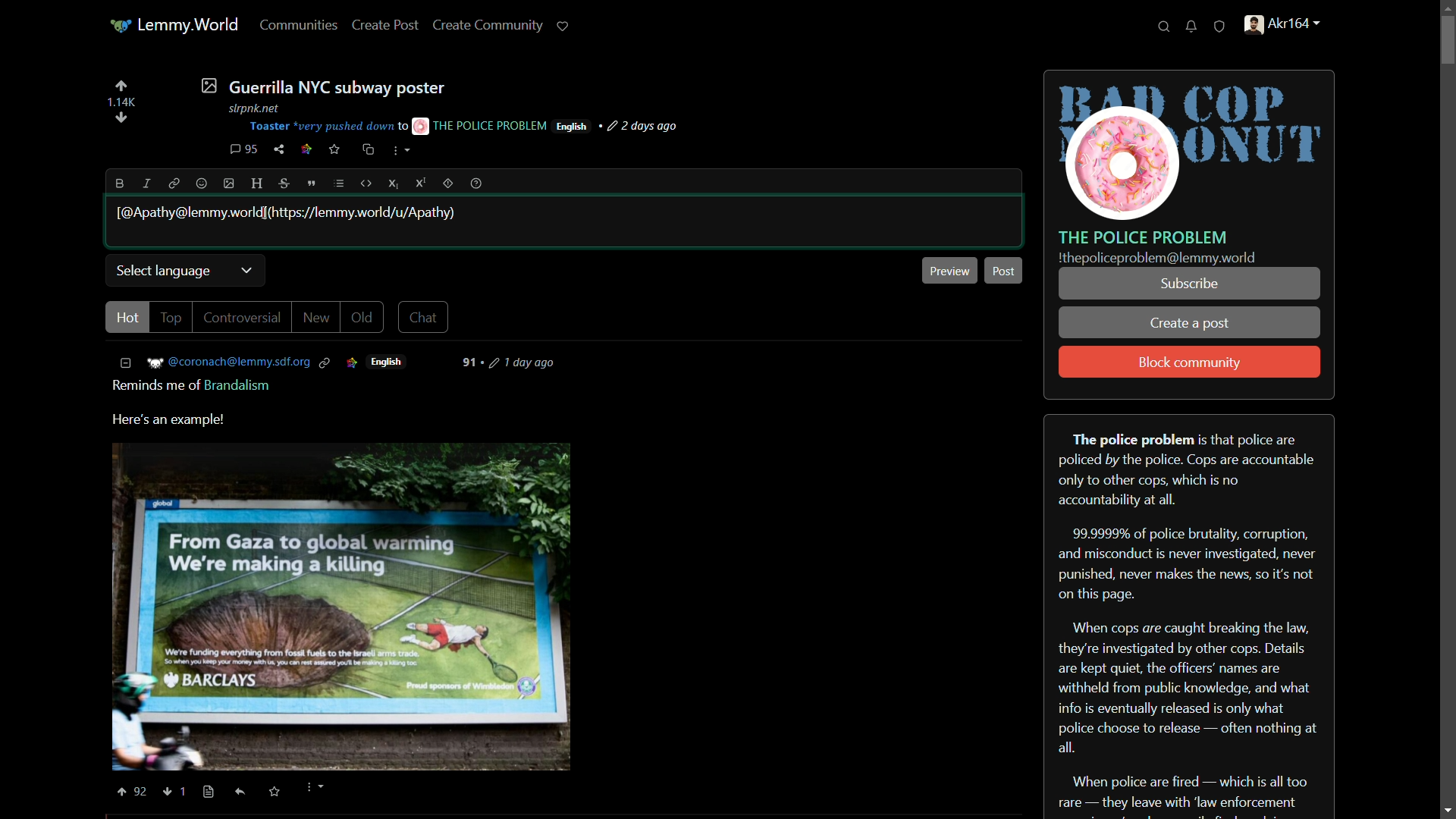  Describe the element at coordinates (571, 127) in the screenshot. I see `language` at that location.